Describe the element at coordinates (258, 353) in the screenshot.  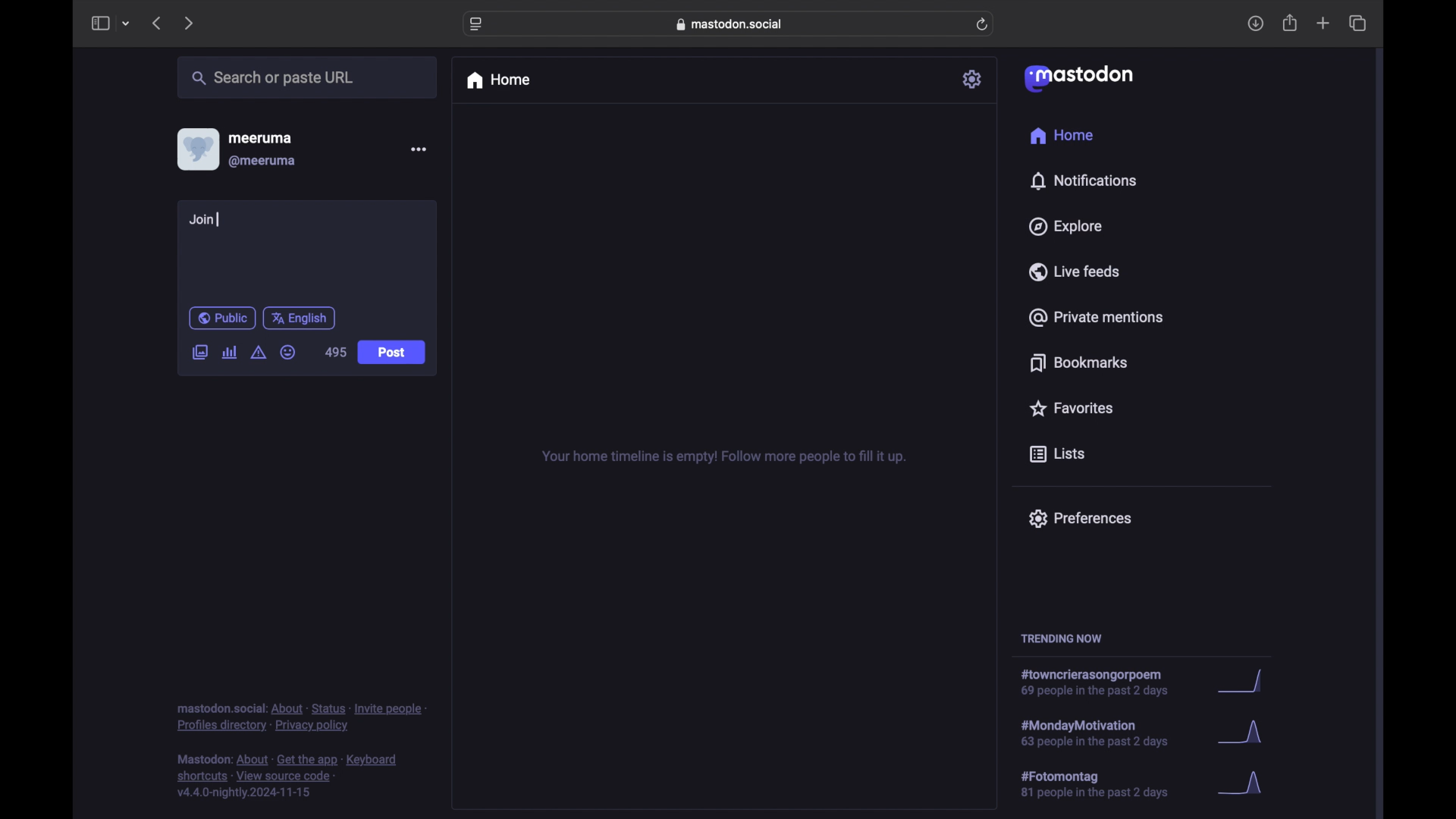
I see `add content warning` at that location.